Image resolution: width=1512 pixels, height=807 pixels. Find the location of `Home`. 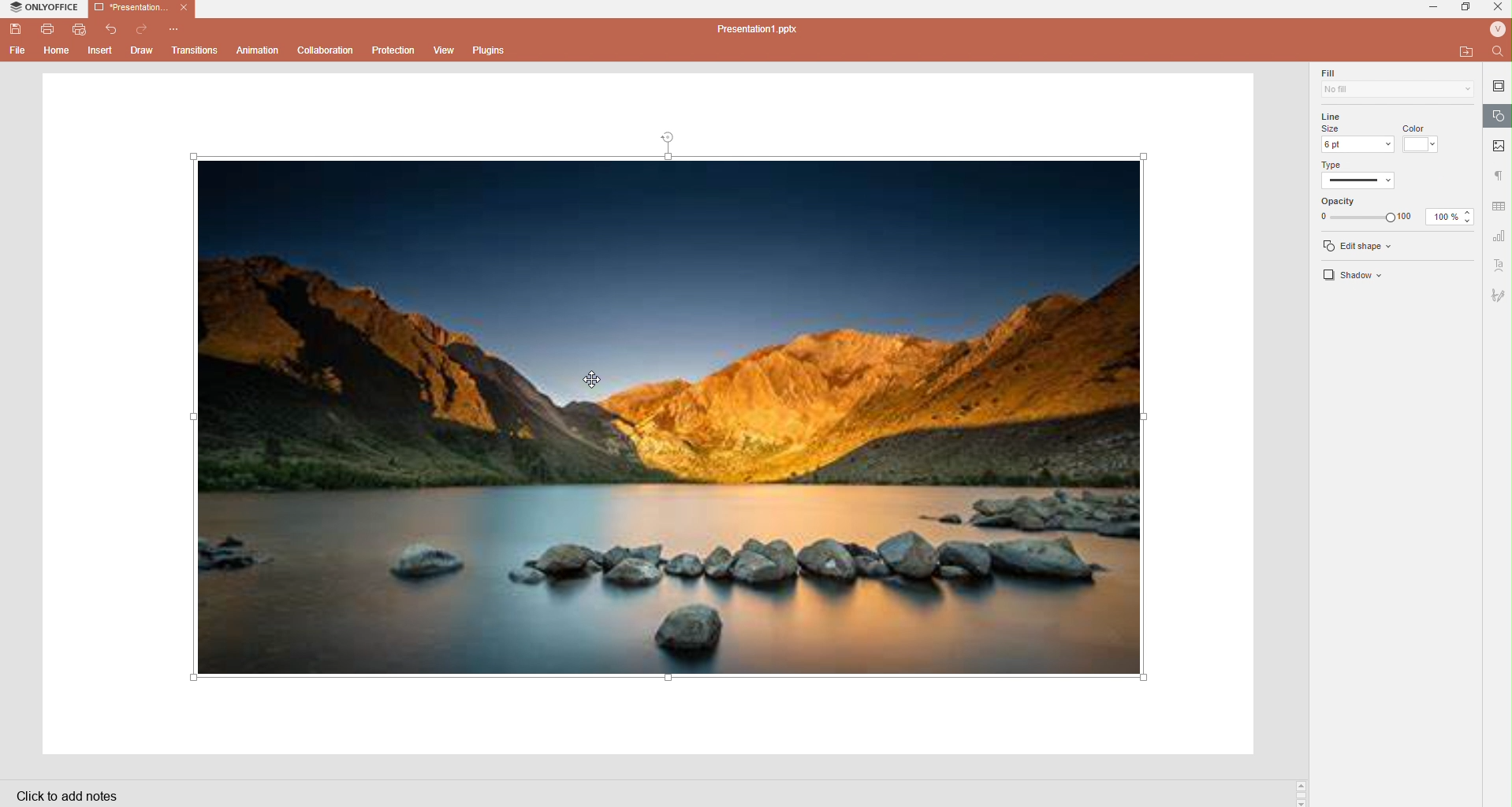

Home is located at coordinates (58, 53).